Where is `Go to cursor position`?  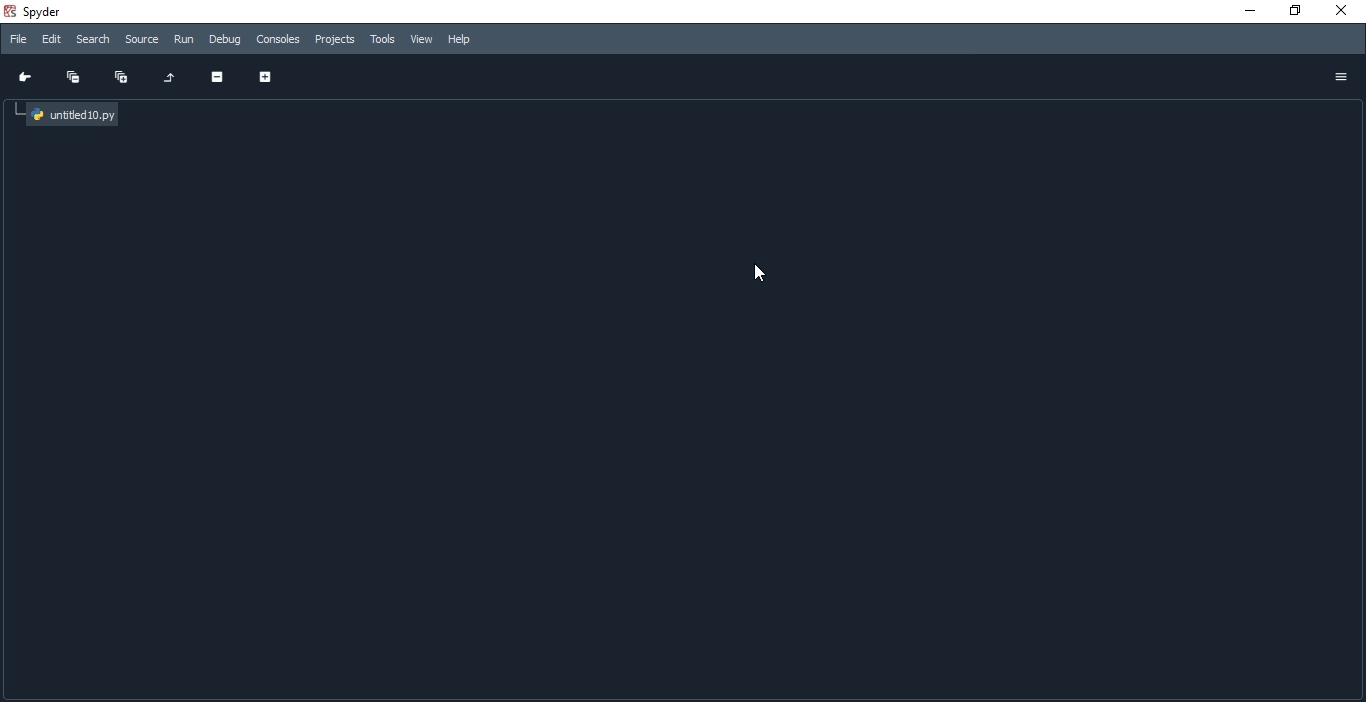 Go to cursor position is located at coordinates (26, 76).